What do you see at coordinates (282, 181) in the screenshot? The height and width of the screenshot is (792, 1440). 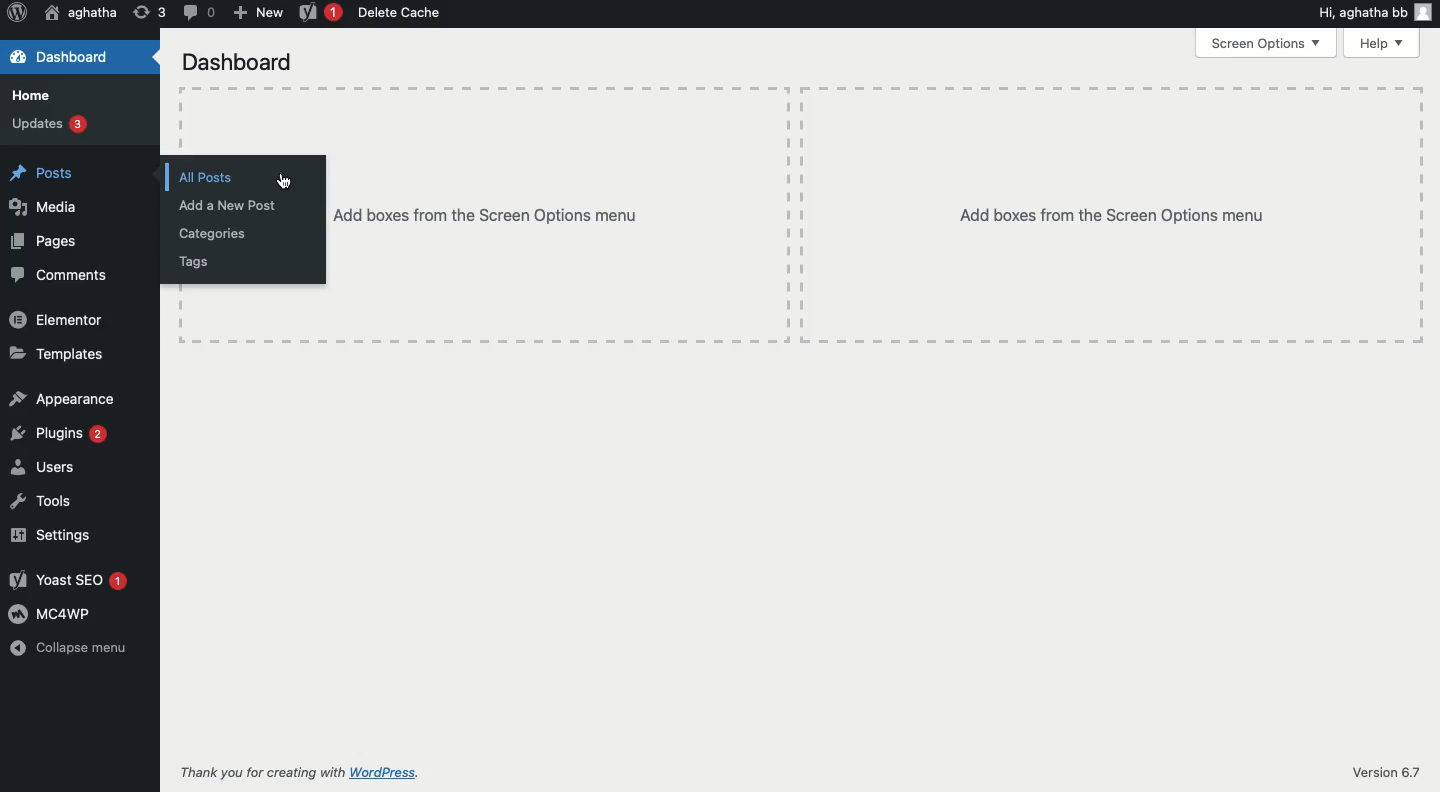 I see `Cursor` at bounding box center [282, 181].